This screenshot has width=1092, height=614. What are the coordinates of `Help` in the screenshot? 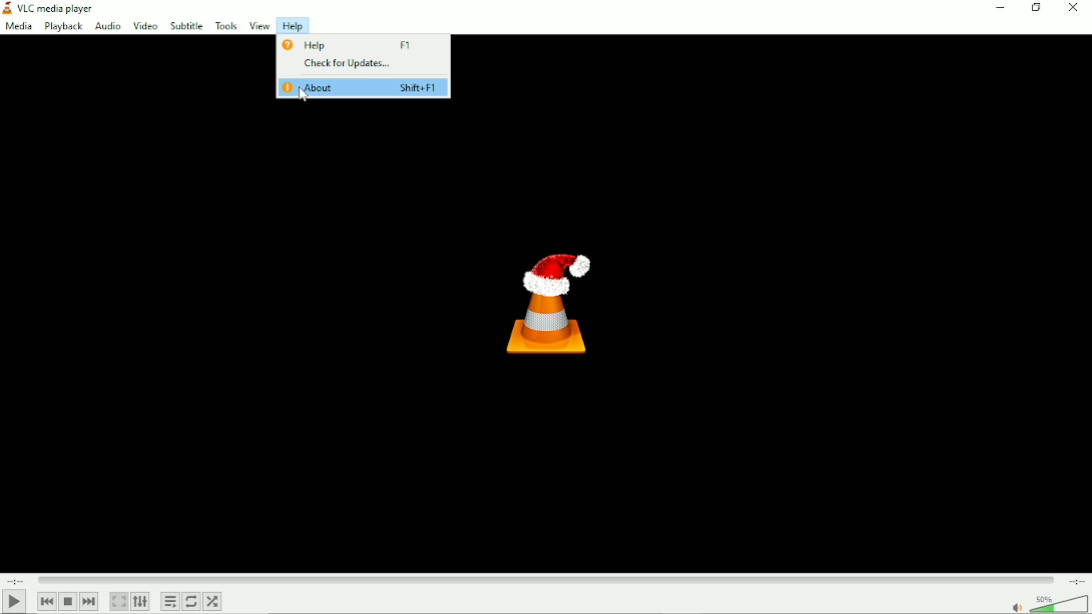 It's located at (358, 45).